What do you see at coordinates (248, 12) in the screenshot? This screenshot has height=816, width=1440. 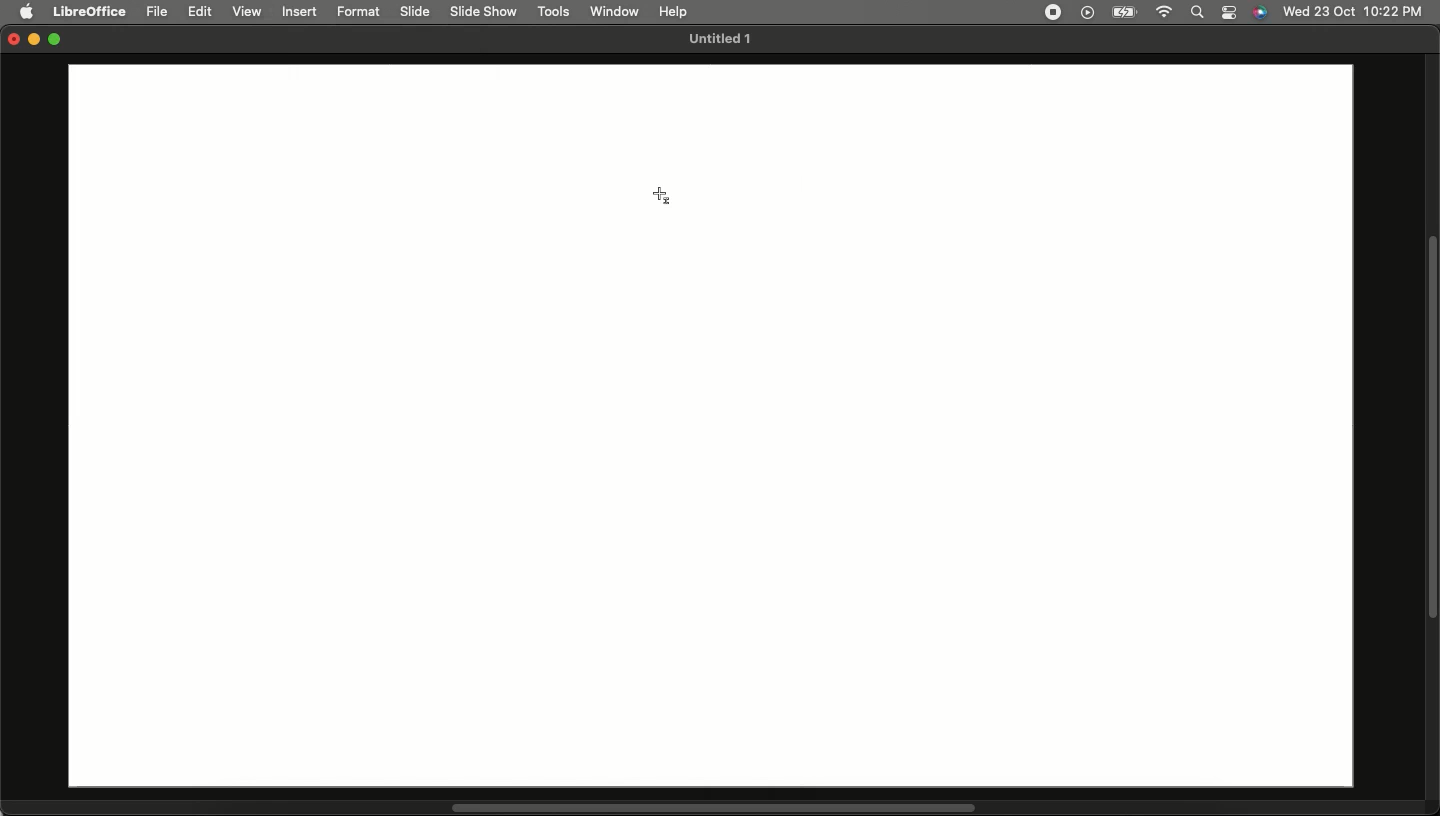 I see `View` at bounding box center [248, 12].